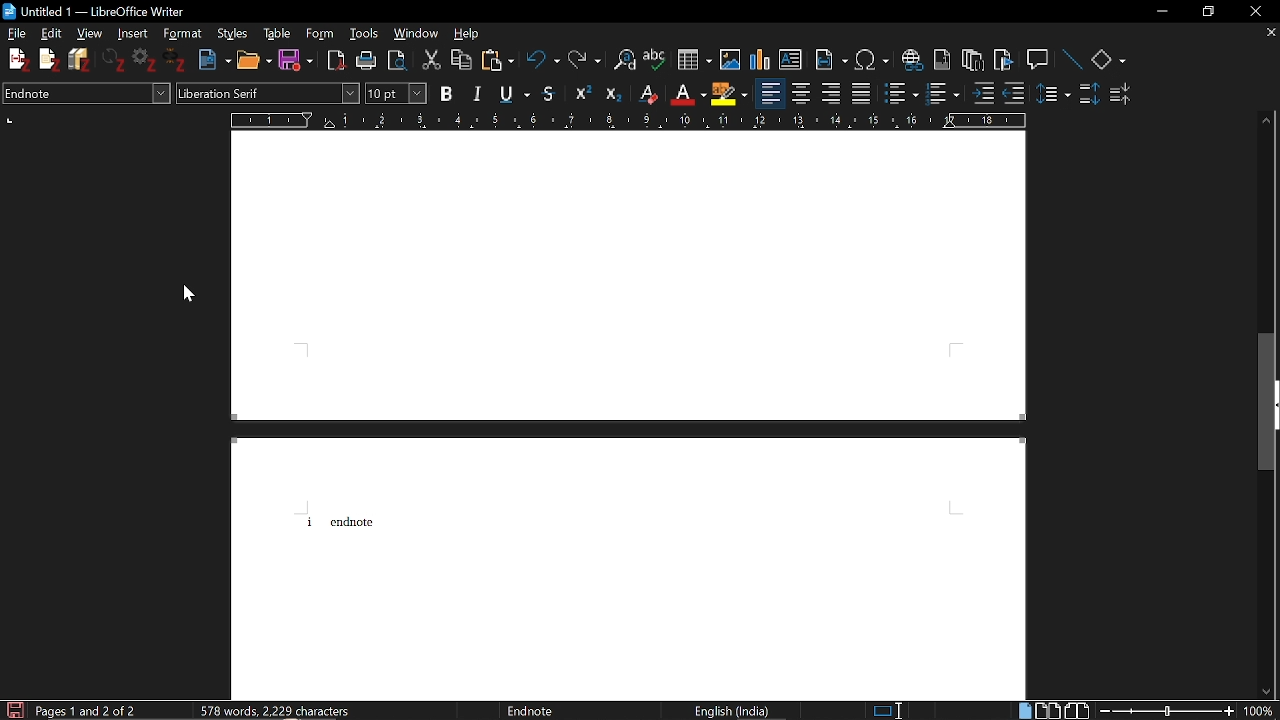  Describe the element at coordinates (462, 60) in the screenshot. I see `Copy` at that location.